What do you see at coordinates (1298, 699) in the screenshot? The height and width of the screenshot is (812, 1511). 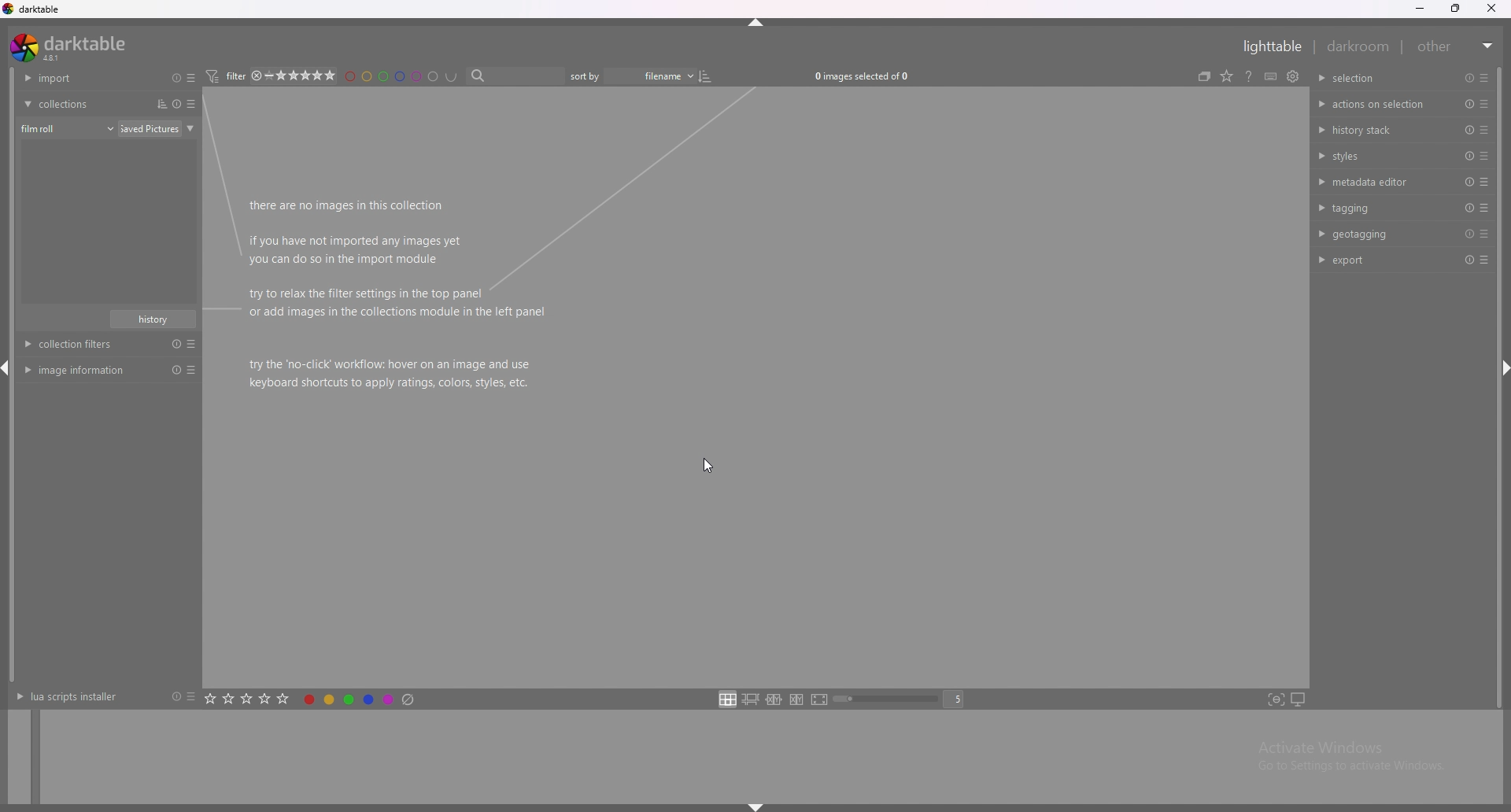 I see `set display profile` at bounding box center [1298, 699].